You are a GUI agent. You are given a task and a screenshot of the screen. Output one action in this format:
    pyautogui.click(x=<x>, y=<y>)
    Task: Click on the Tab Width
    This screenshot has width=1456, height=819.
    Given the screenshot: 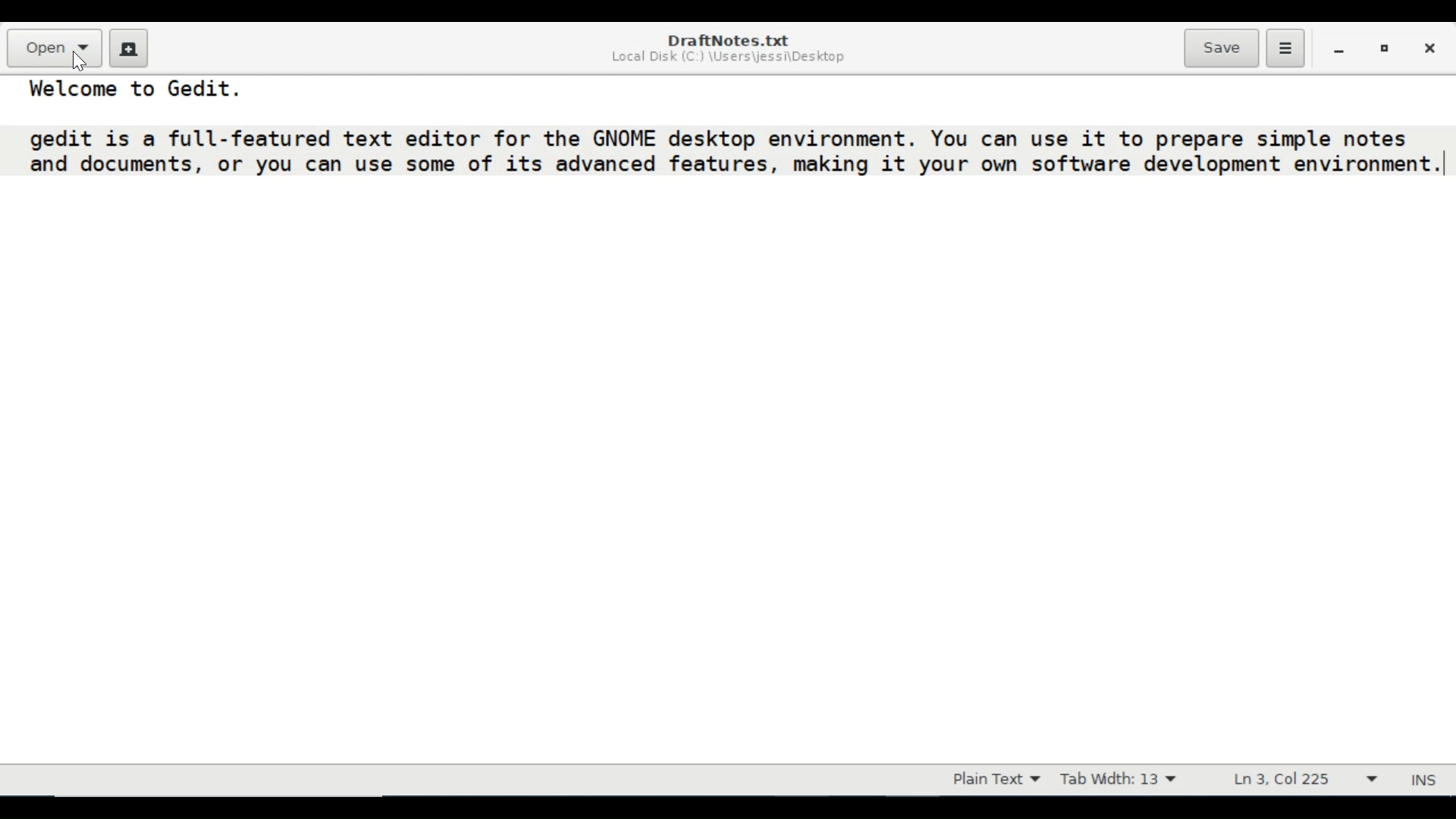 What is the action you would take?
    pyautogui.click(x=1118, y=780)
    